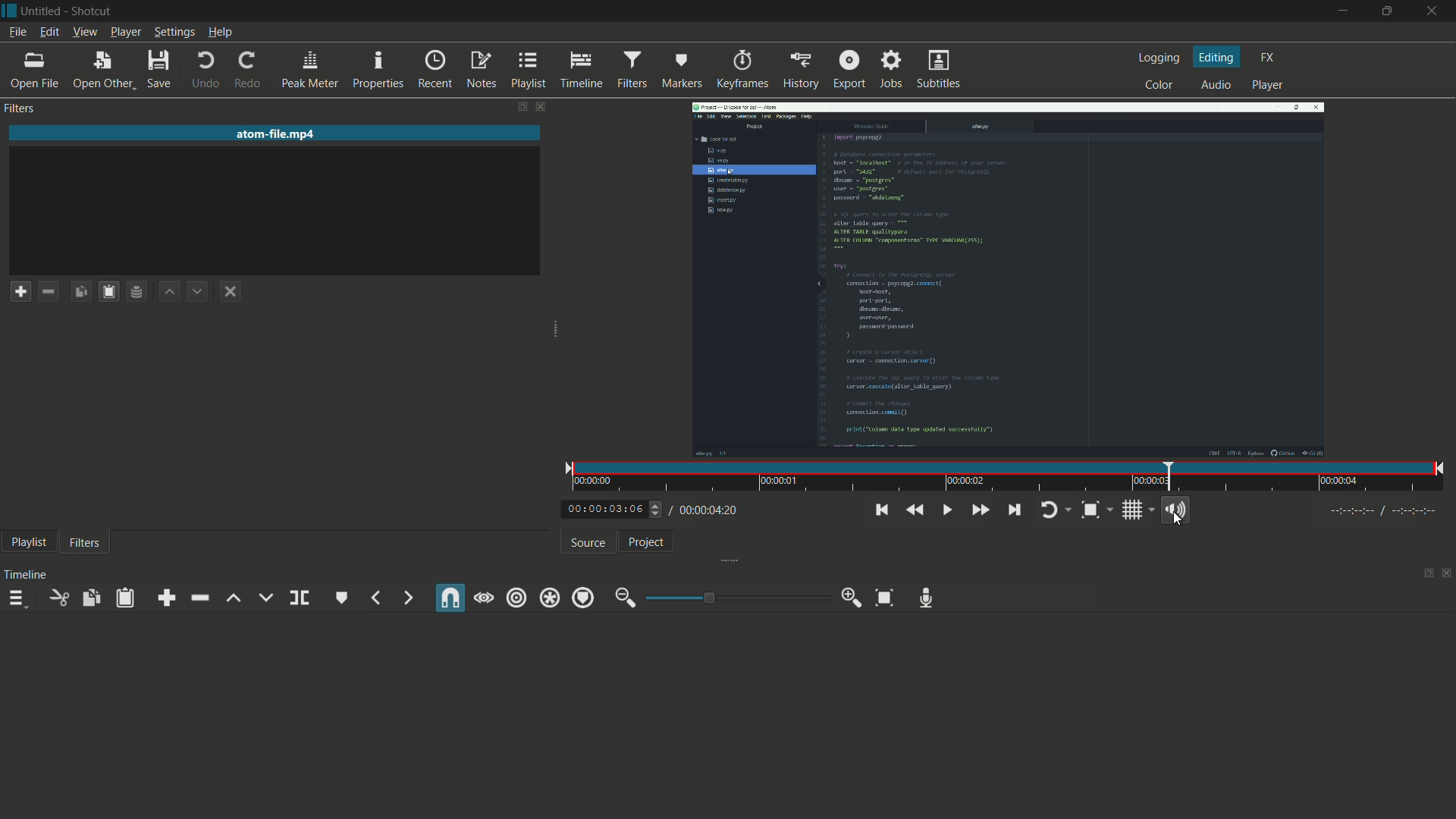 The width and height of the screenshot is (1456, 819). I want to click on close timeline, so click(1448, 572).